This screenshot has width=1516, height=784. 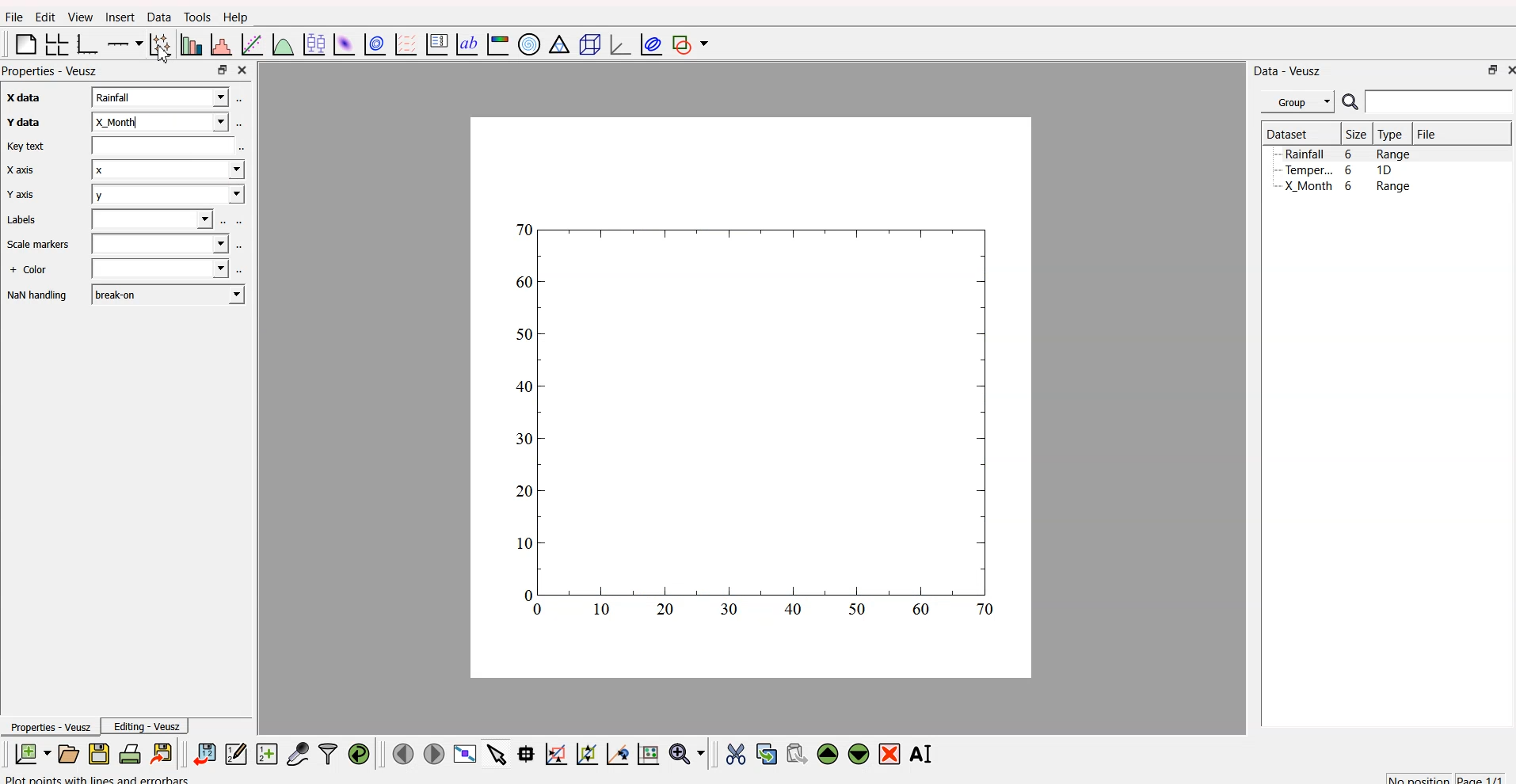 I want to click on cut the widget, so click(x=734, y=753).